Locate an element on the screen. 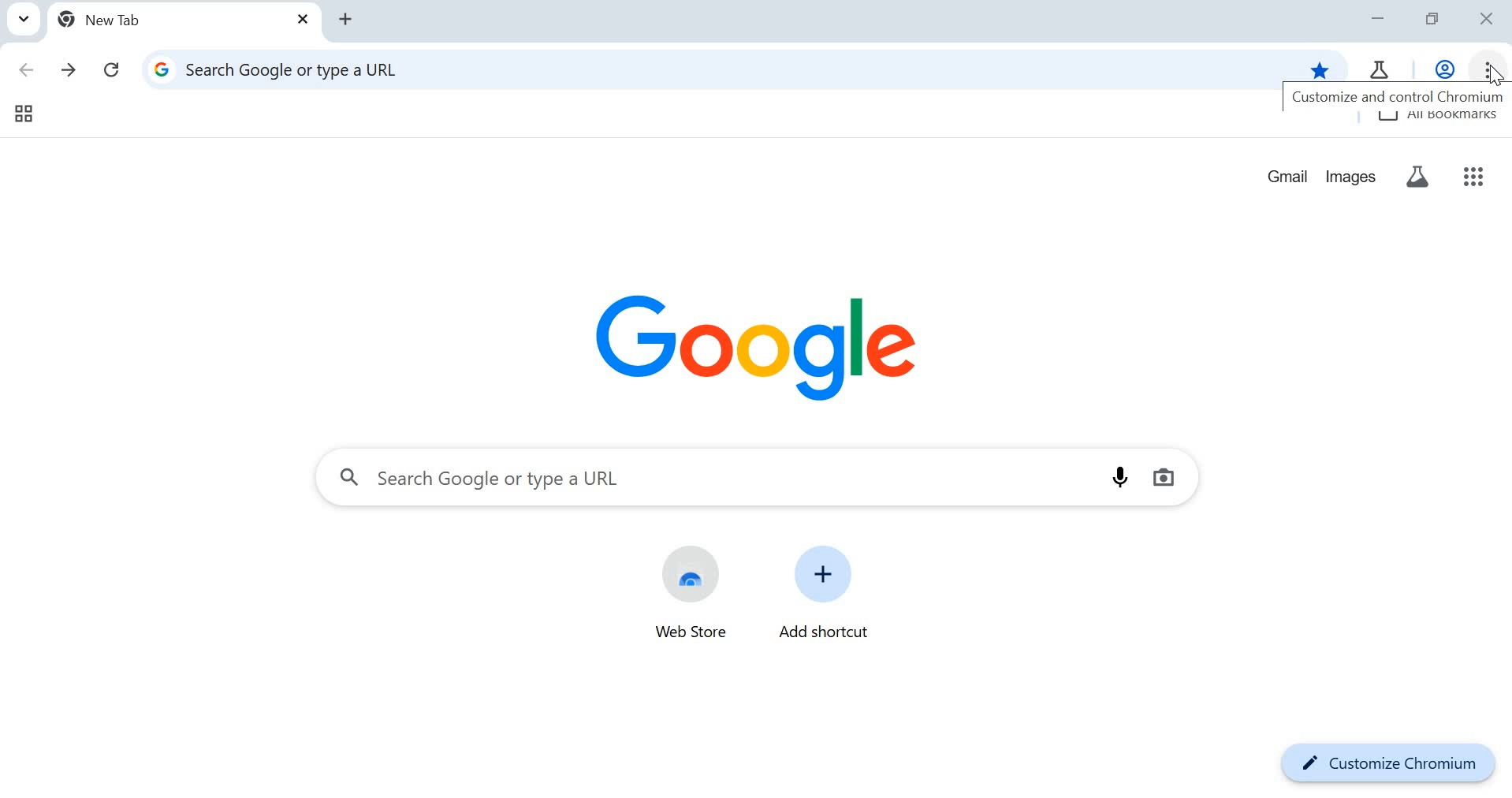  all bookmarks is located at coordinates (1438, 117).